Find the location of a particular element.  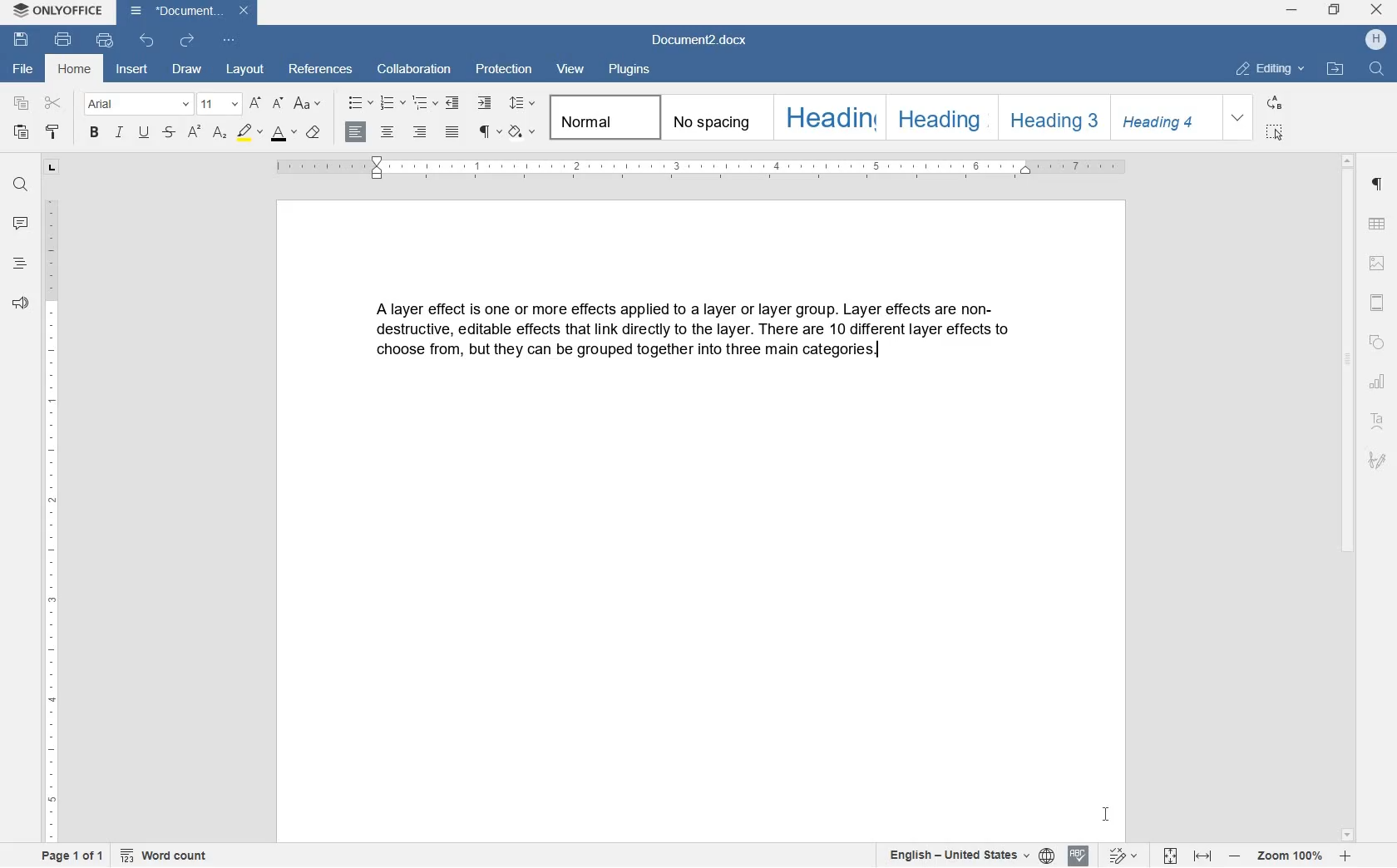

BULLETS is located at coordinates (359, 104).